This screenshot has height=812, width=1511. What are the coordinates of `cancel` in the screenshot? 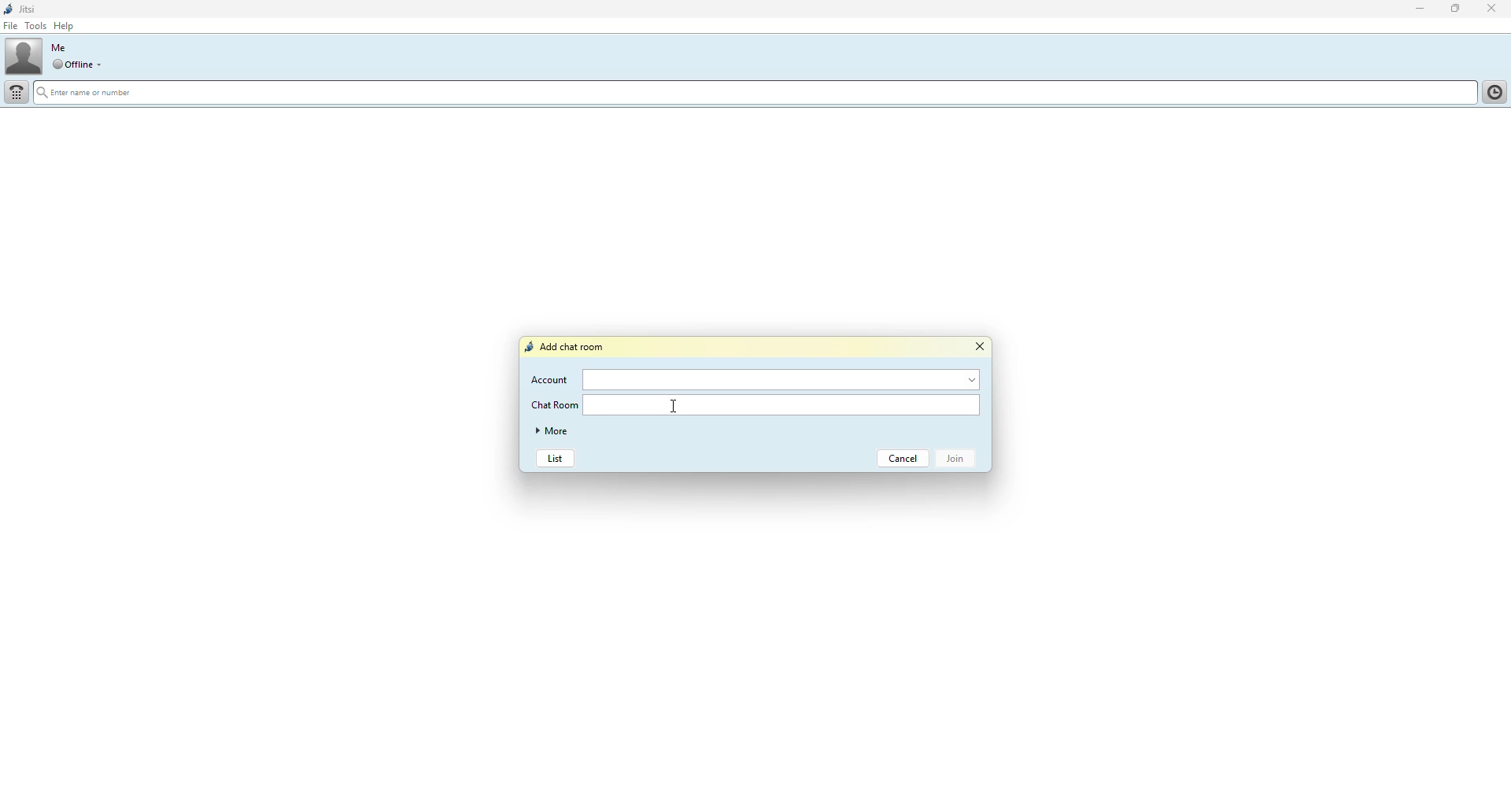 It's located at (905, 458).